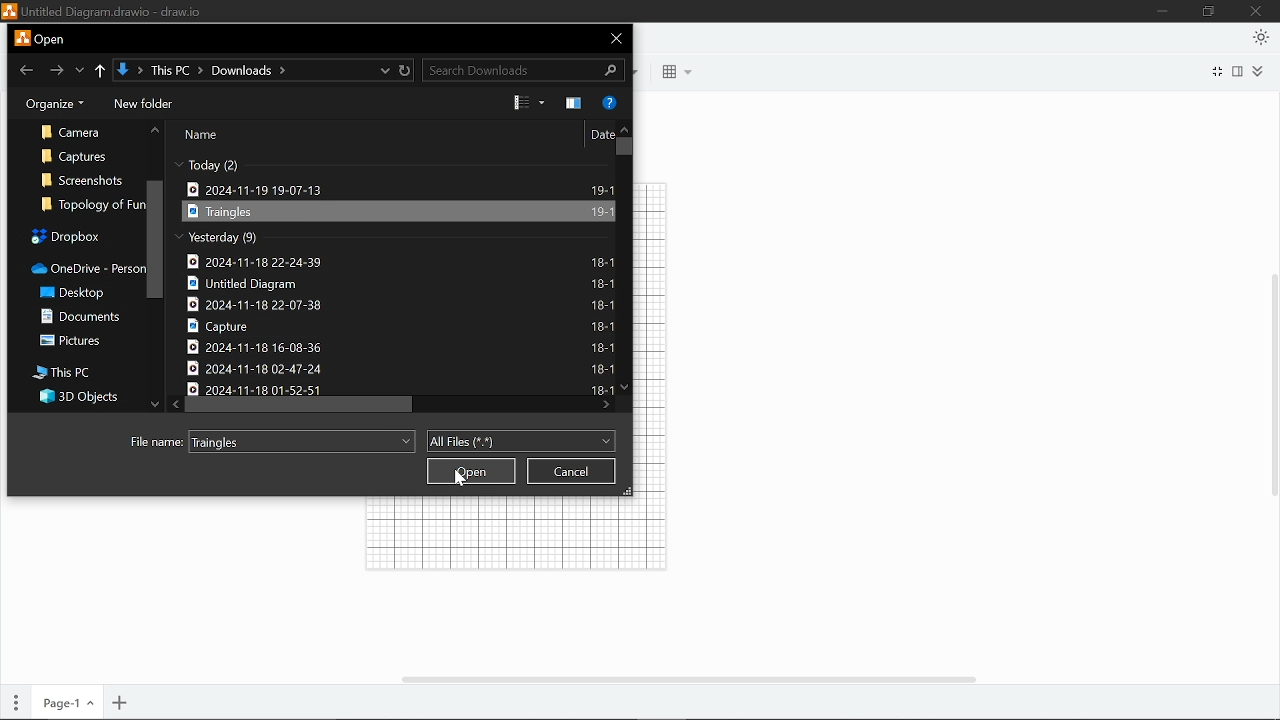 The height and width of the screenshot is (720, 1280). Describe the element at coordinates (122, 702) in the screenshot. I see `Add page` at that location.